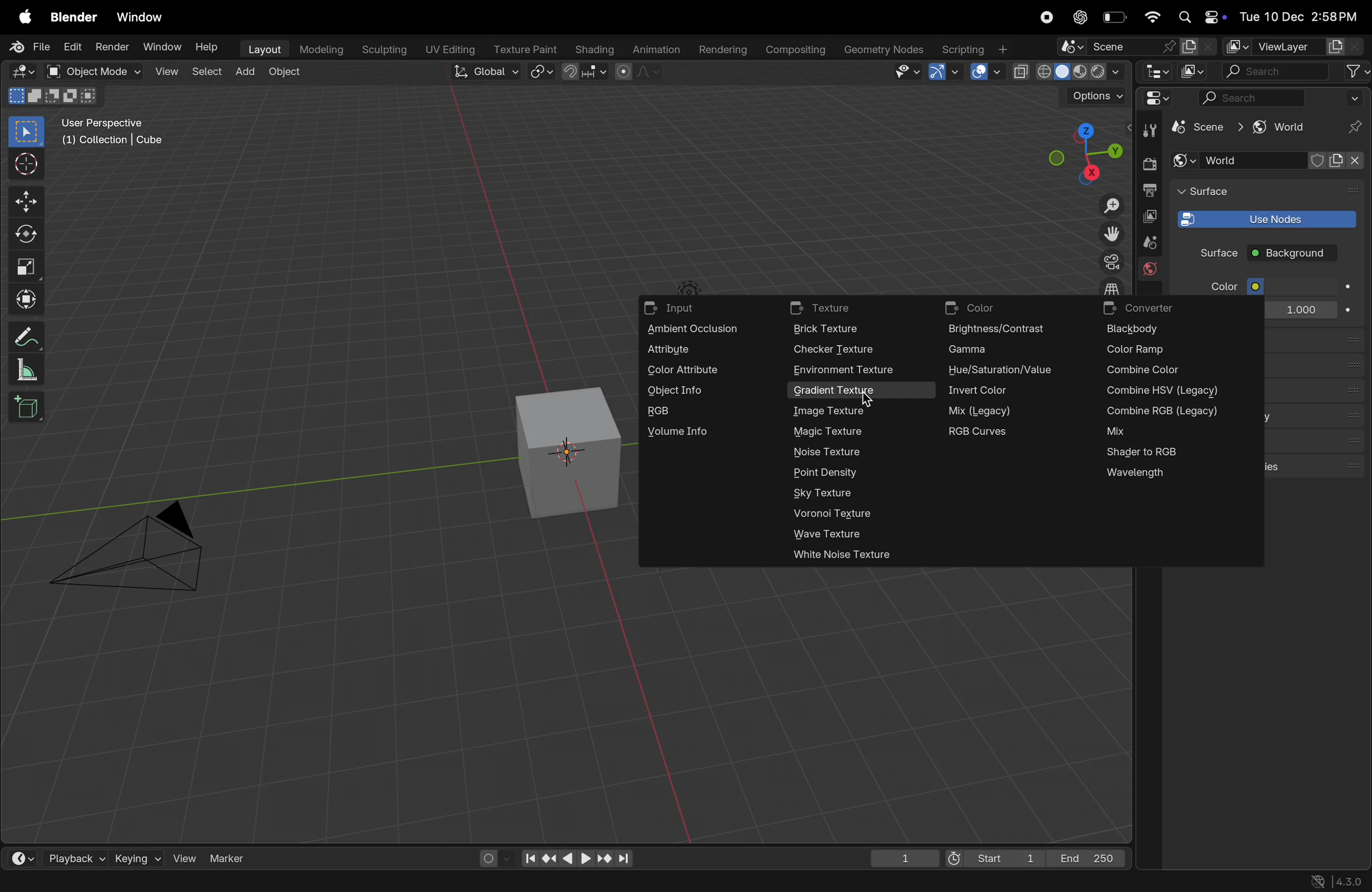 This screenshot has width=1372, height=892. What do you see at coordinates (1046, 17) in the screenshot?
I see `record` at bounding box center [1046, 17].